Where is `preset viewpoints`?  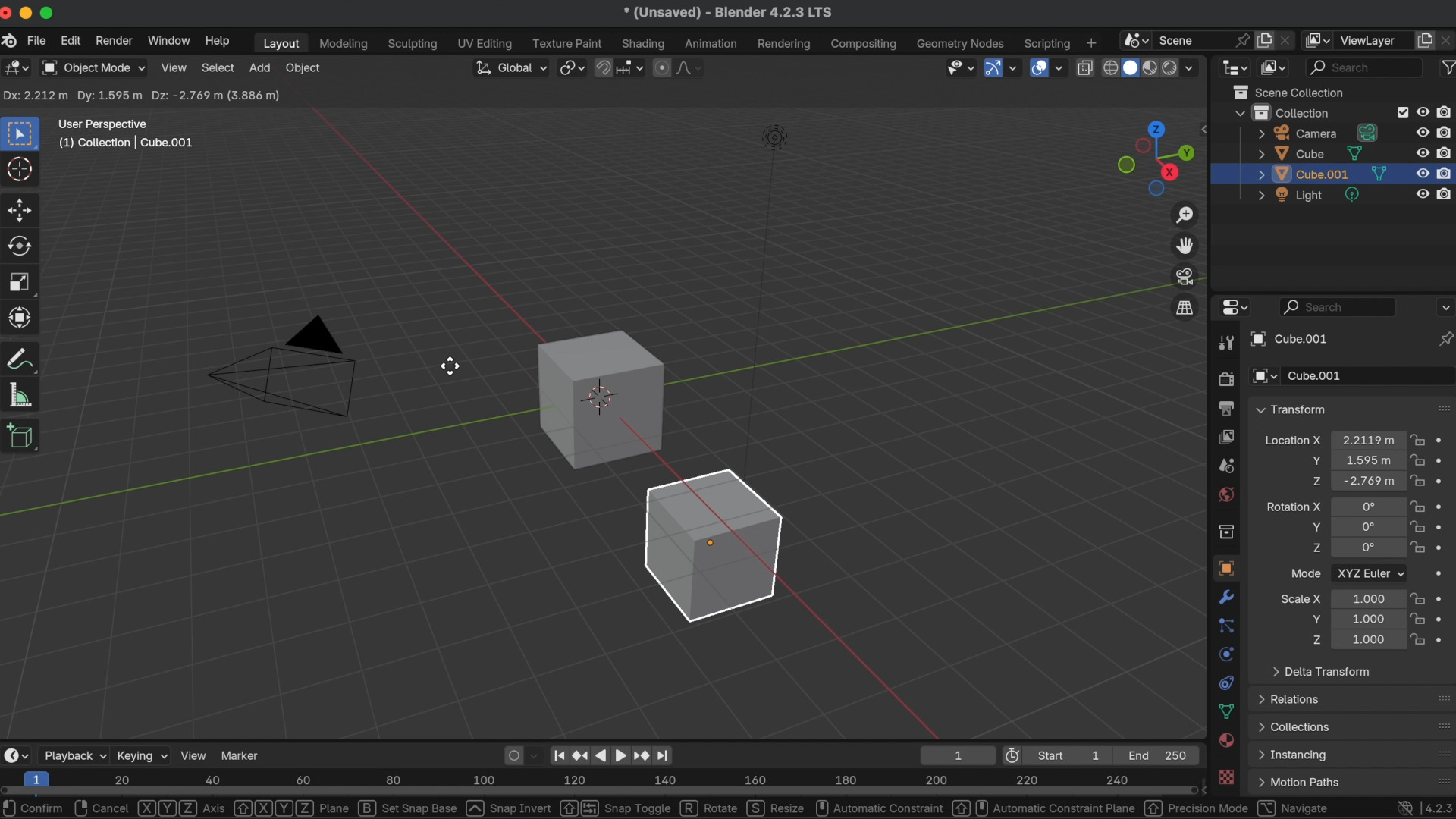 preset viewpoints is located at coordinates (1152, 158).